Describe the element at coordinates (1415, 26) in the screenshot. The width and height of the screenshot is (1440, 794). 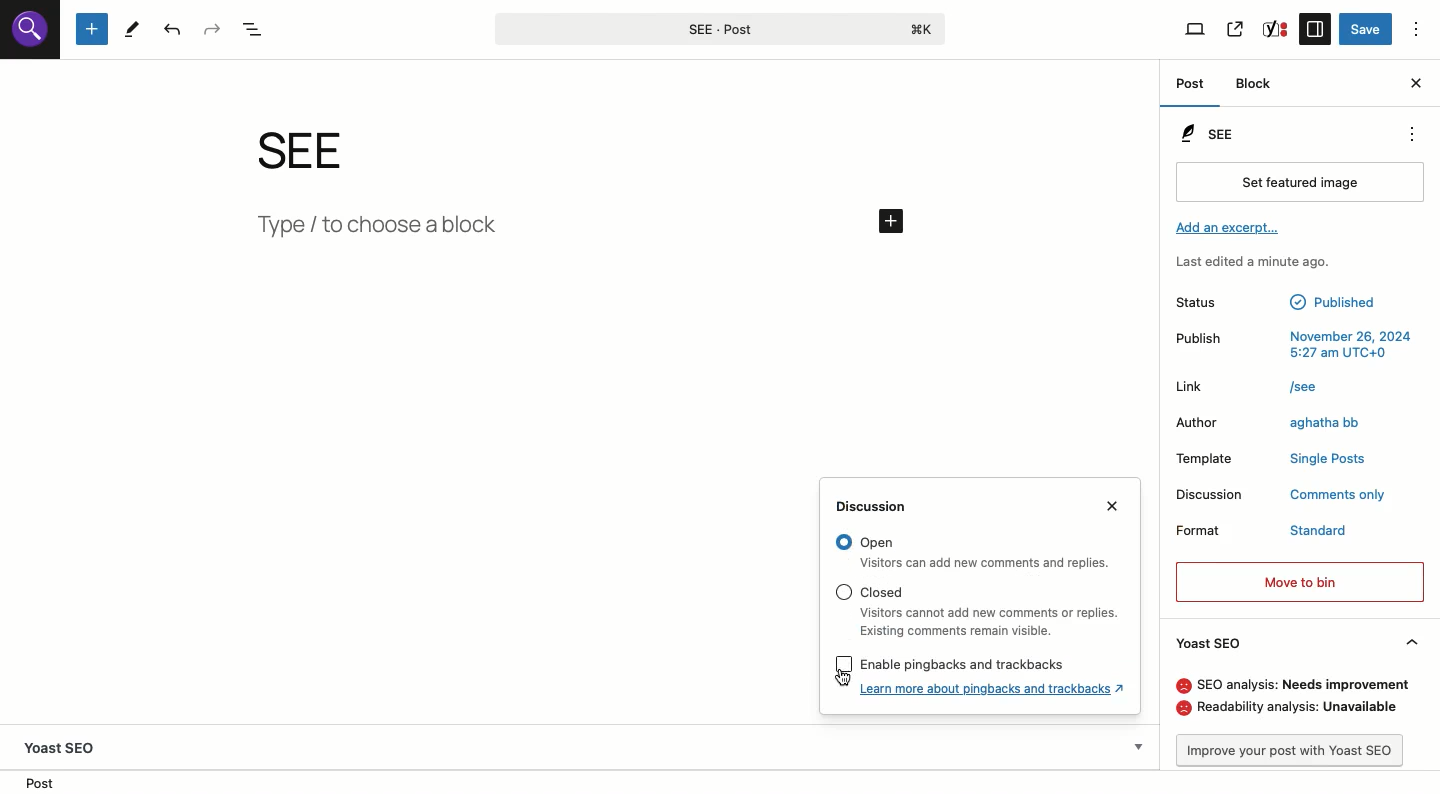
I see `Options` at that location.